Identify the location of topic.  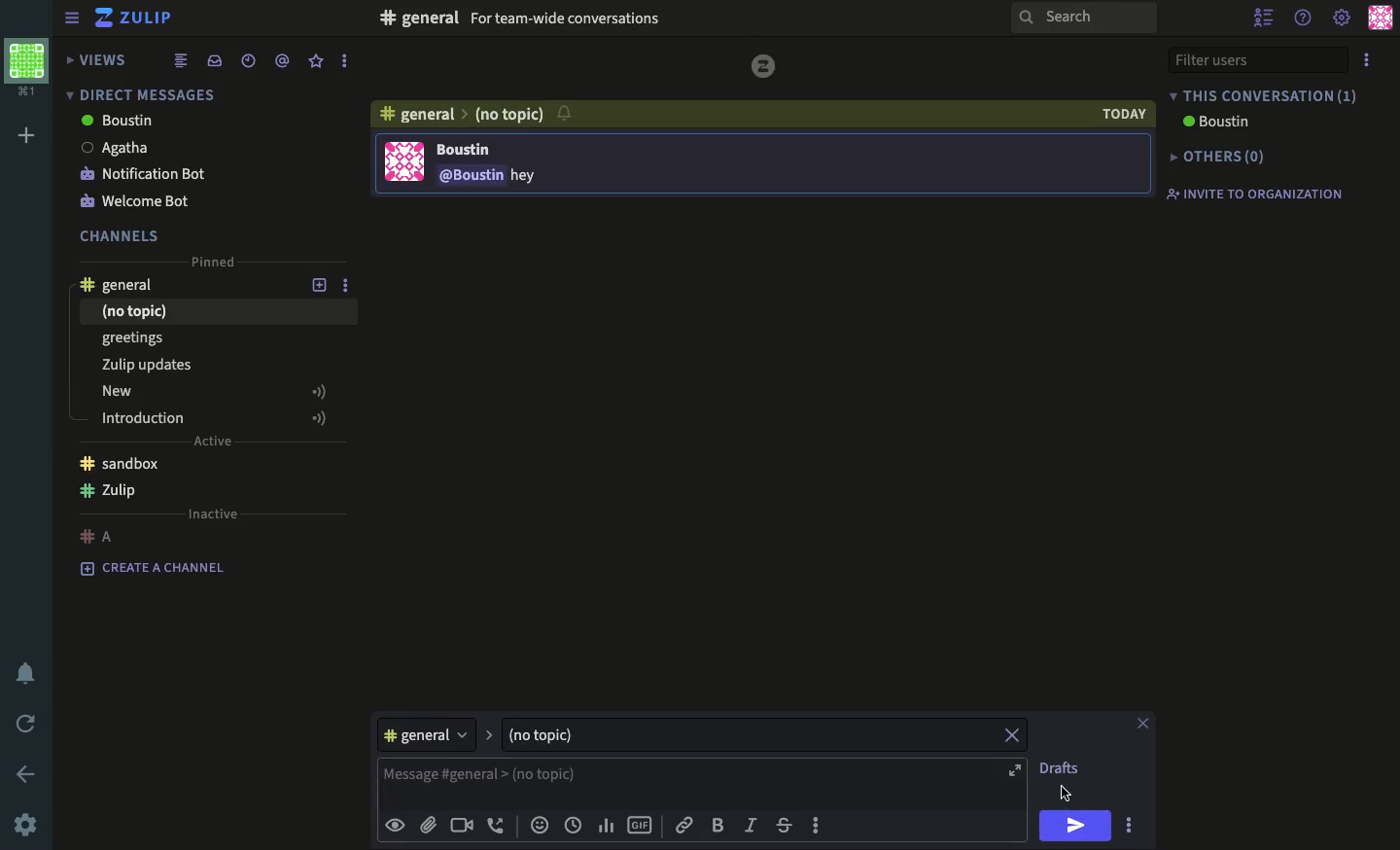
(562, 733).